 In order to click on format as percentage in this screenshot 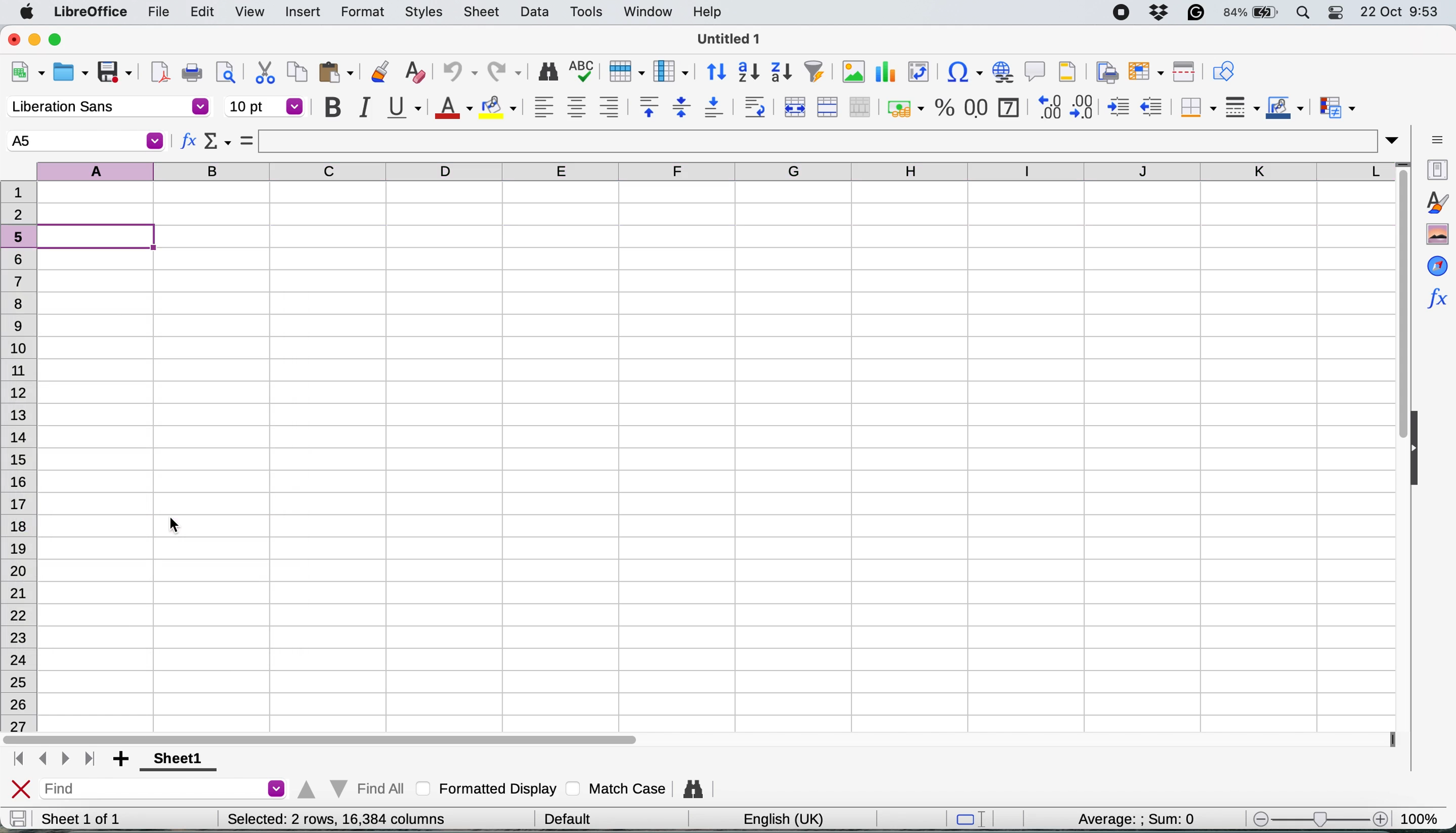, I will do `click(945, 108)`.